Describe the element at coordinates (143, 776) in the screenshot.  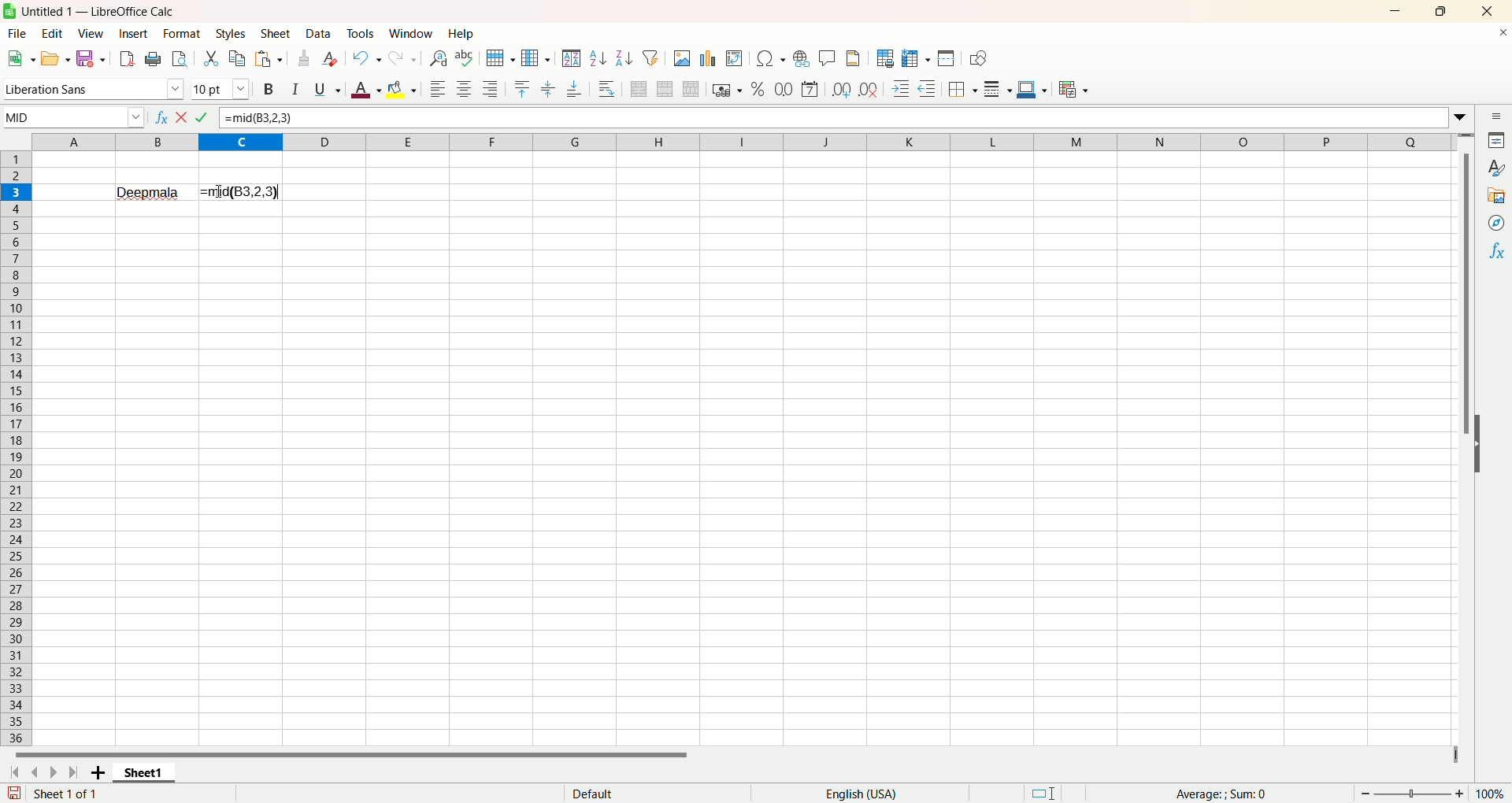
I see `sheet name` at that location.